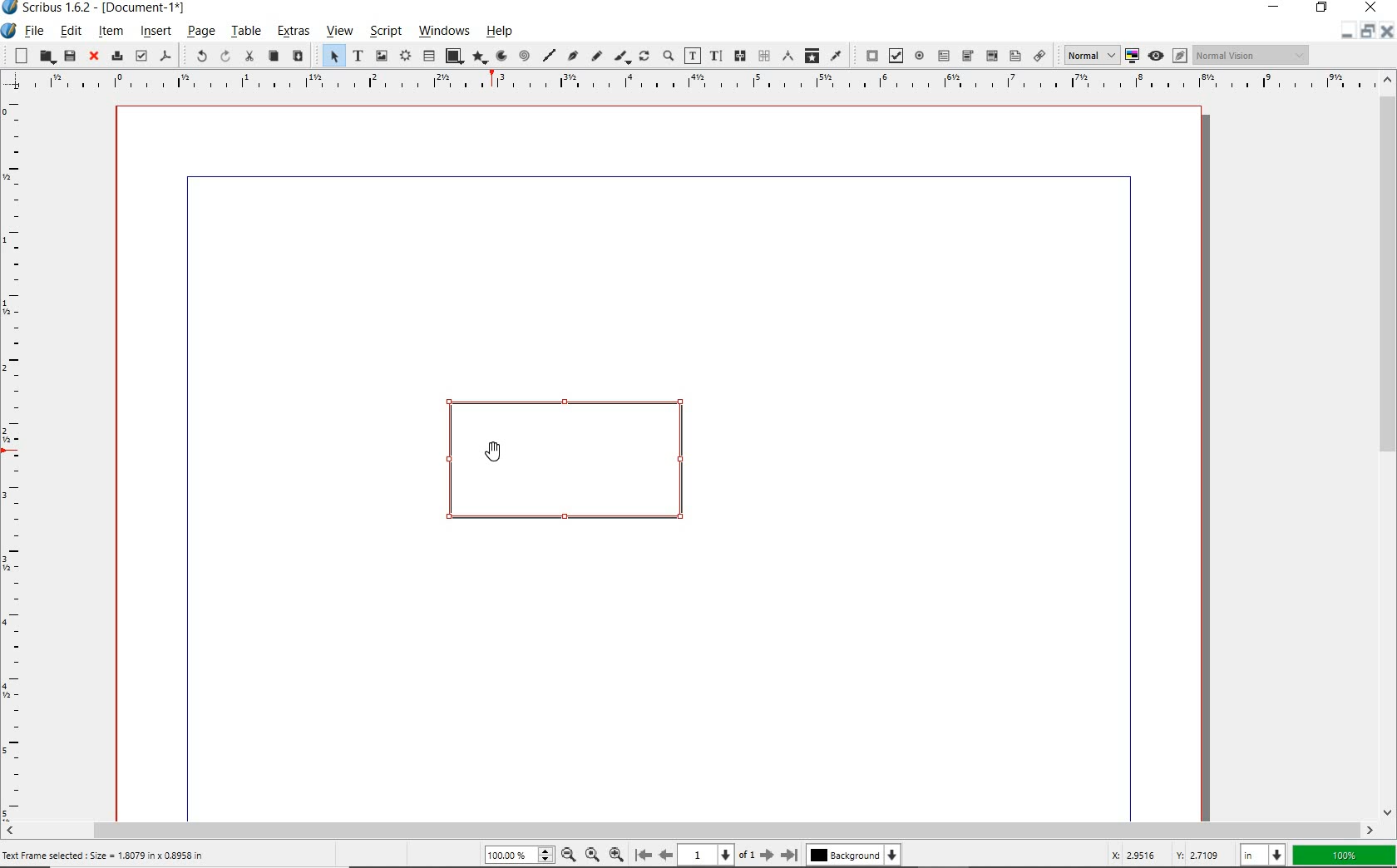 Image resolution: width=1397 pixels, height=868 pixels. I want to click on image frame, so click(381, 55).